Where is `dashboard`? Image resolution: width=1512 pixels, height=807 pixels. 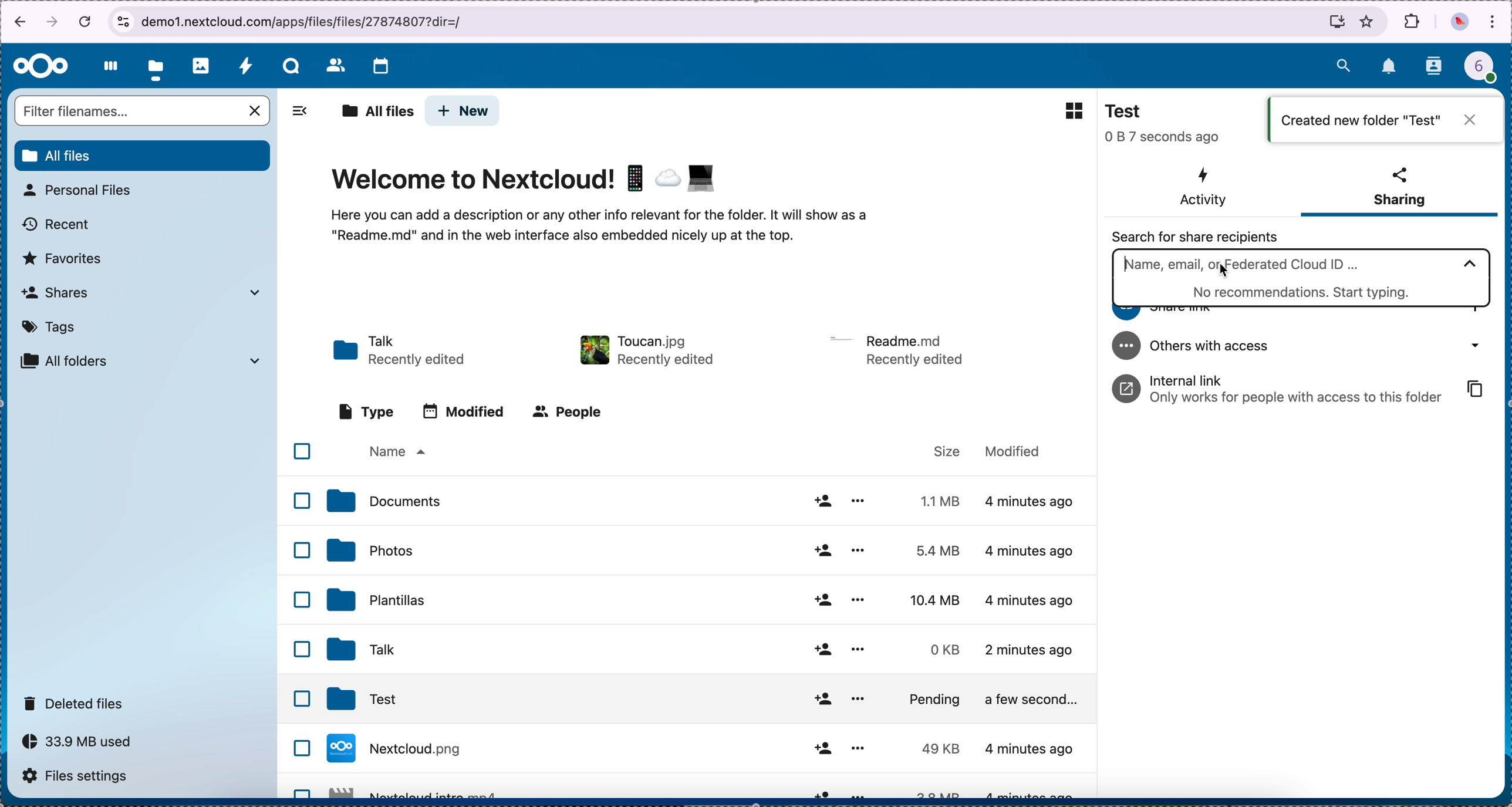 dashboard is located at coordinates (107, 66).